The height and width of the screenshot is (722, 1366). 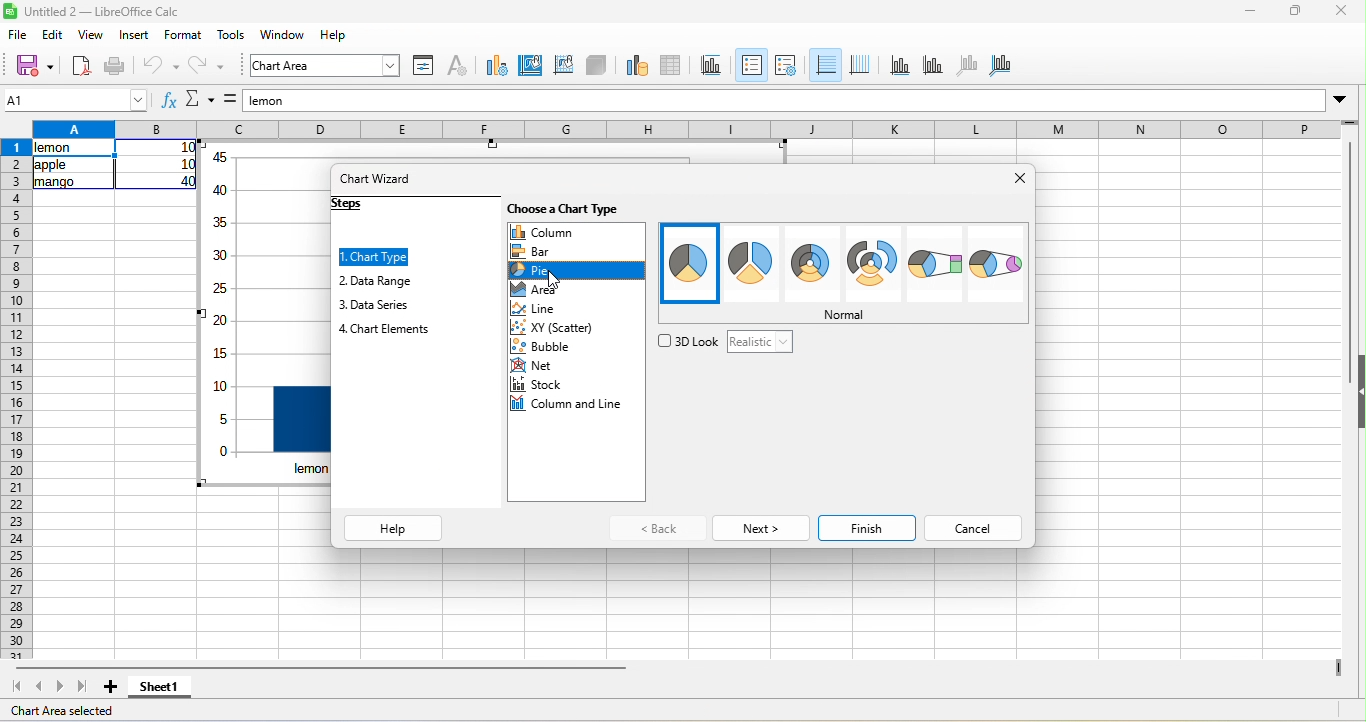 I want to click on chart type, so click(x=375, y=258).